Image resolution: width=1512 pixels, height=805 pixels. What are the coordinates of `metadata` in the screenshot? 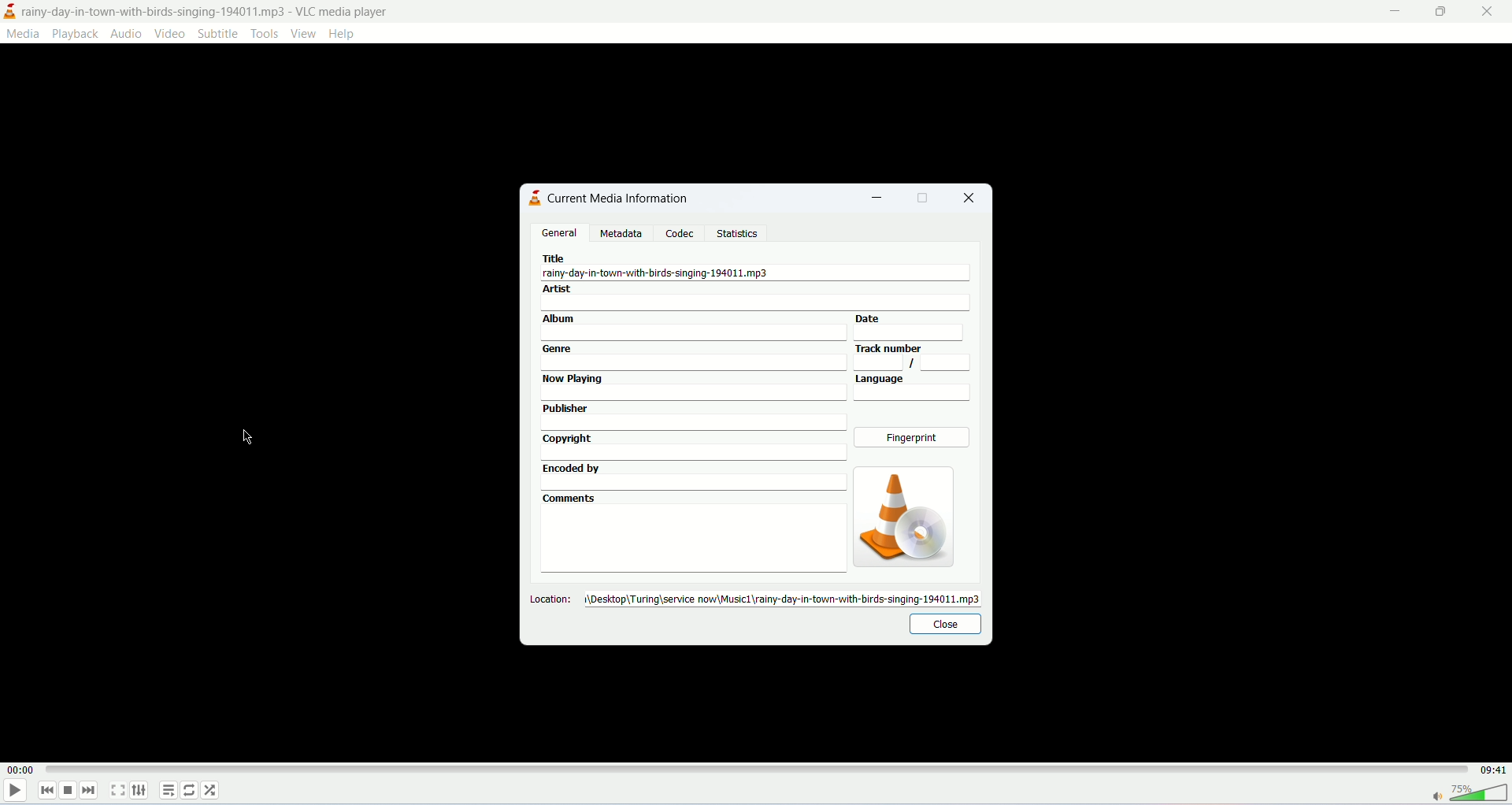 It's located at (627, 234).